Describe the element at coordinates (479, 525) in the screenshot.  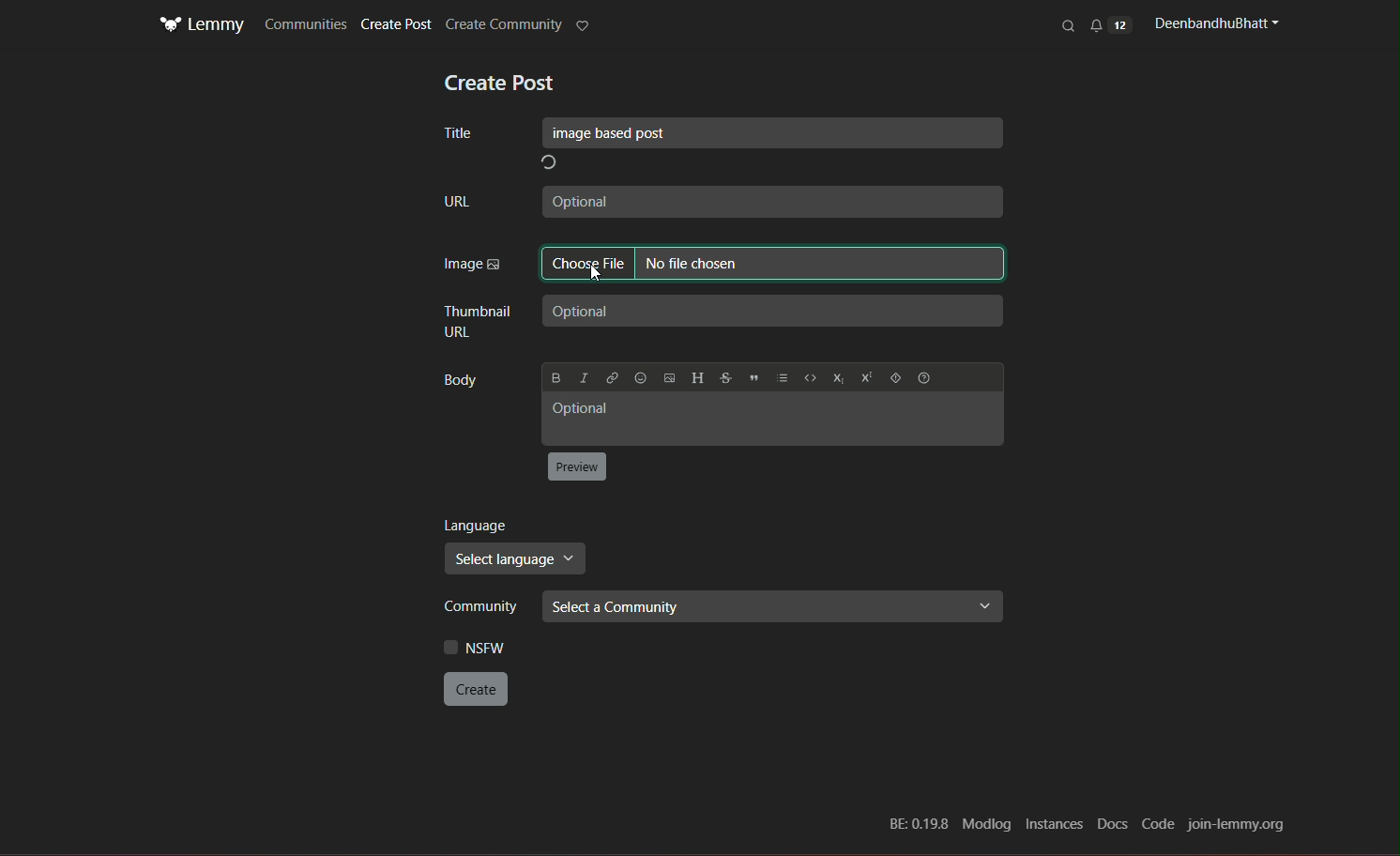
I see `language` at that location.